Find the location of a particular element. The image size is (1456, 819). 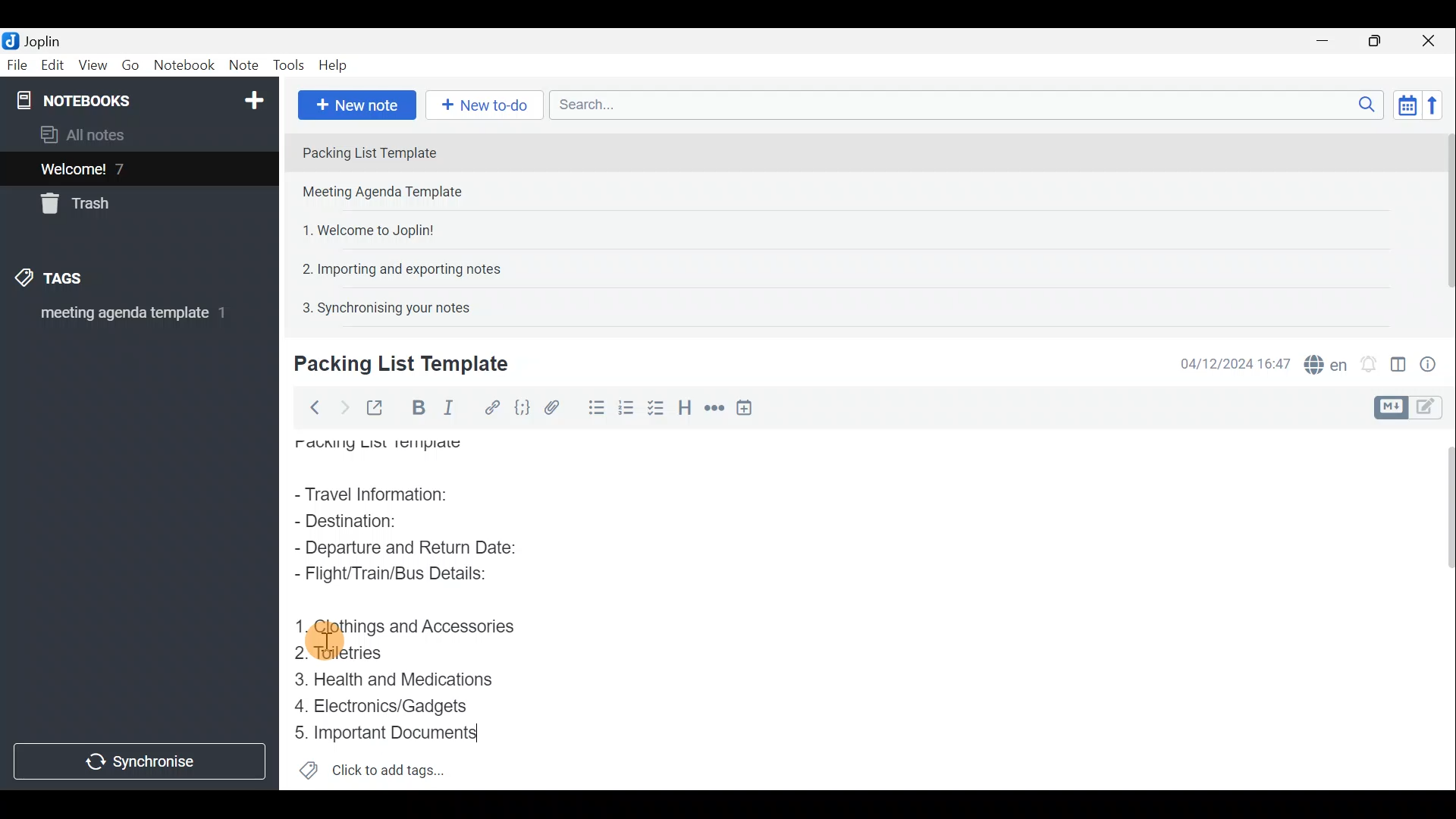

Note 1 is located at coordinates (424, 151).